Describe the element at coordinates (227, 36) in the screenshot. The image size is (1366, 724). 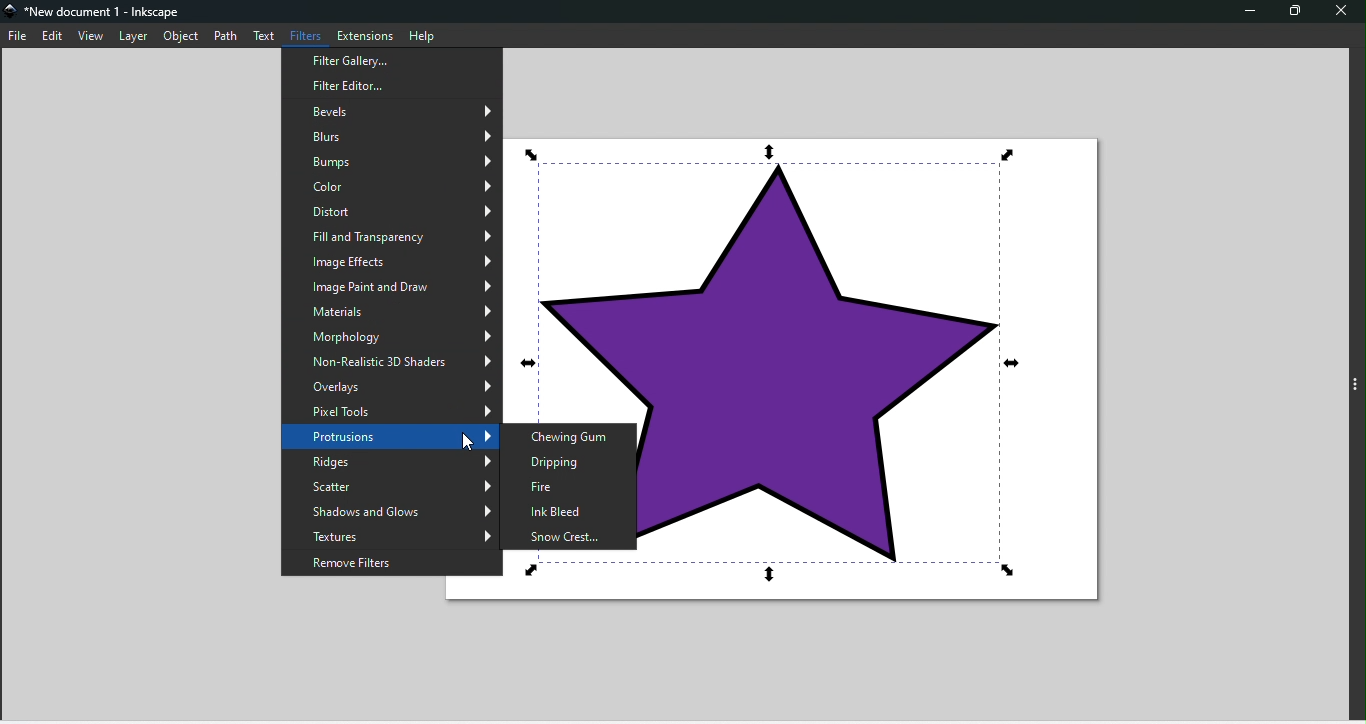
I see `Path` at that location.